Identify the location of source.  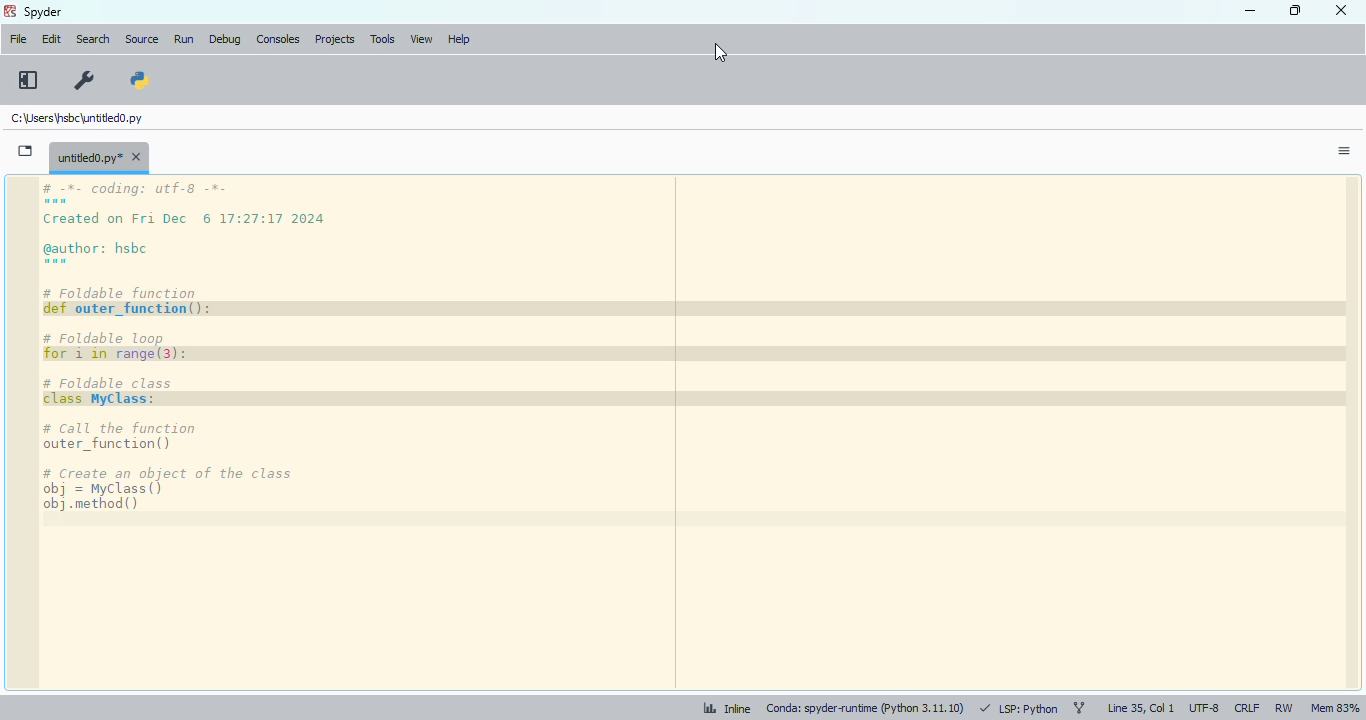
(142, 40).